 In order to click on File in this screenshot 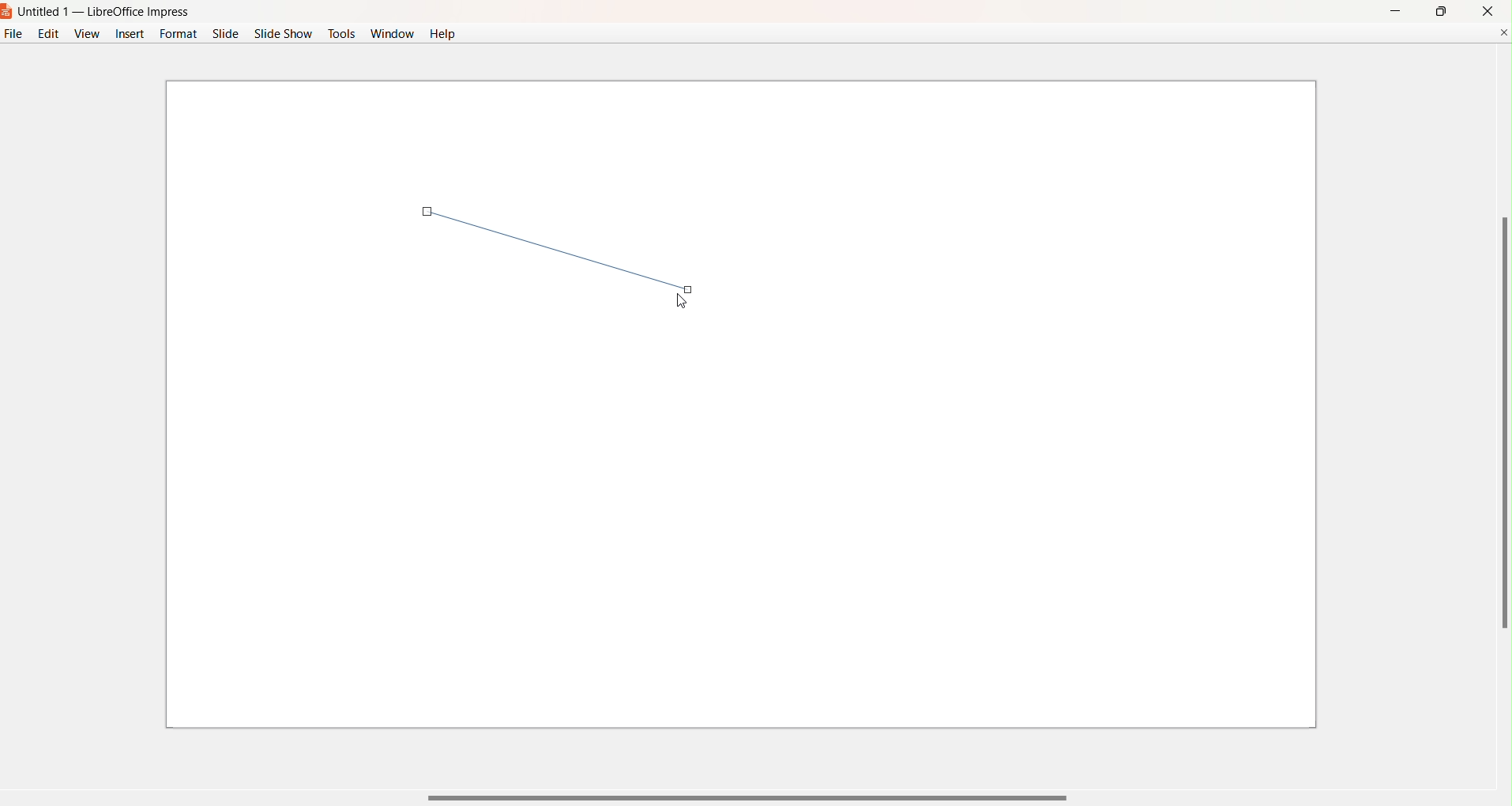, I will do `click(12, 37)`.